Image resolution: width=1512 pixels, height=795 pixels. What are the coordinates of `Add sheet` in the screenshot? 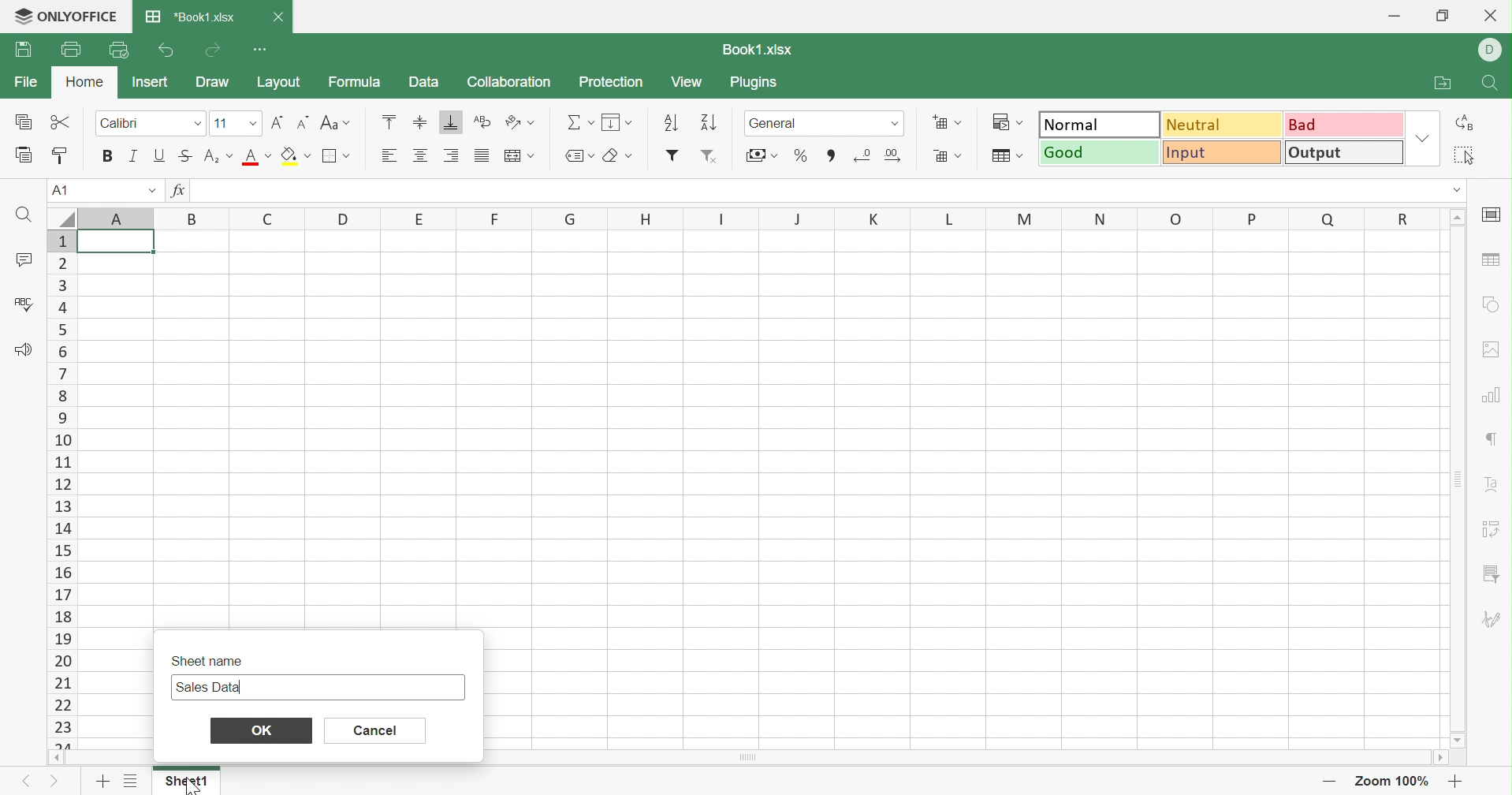 It's located at (102, 781).